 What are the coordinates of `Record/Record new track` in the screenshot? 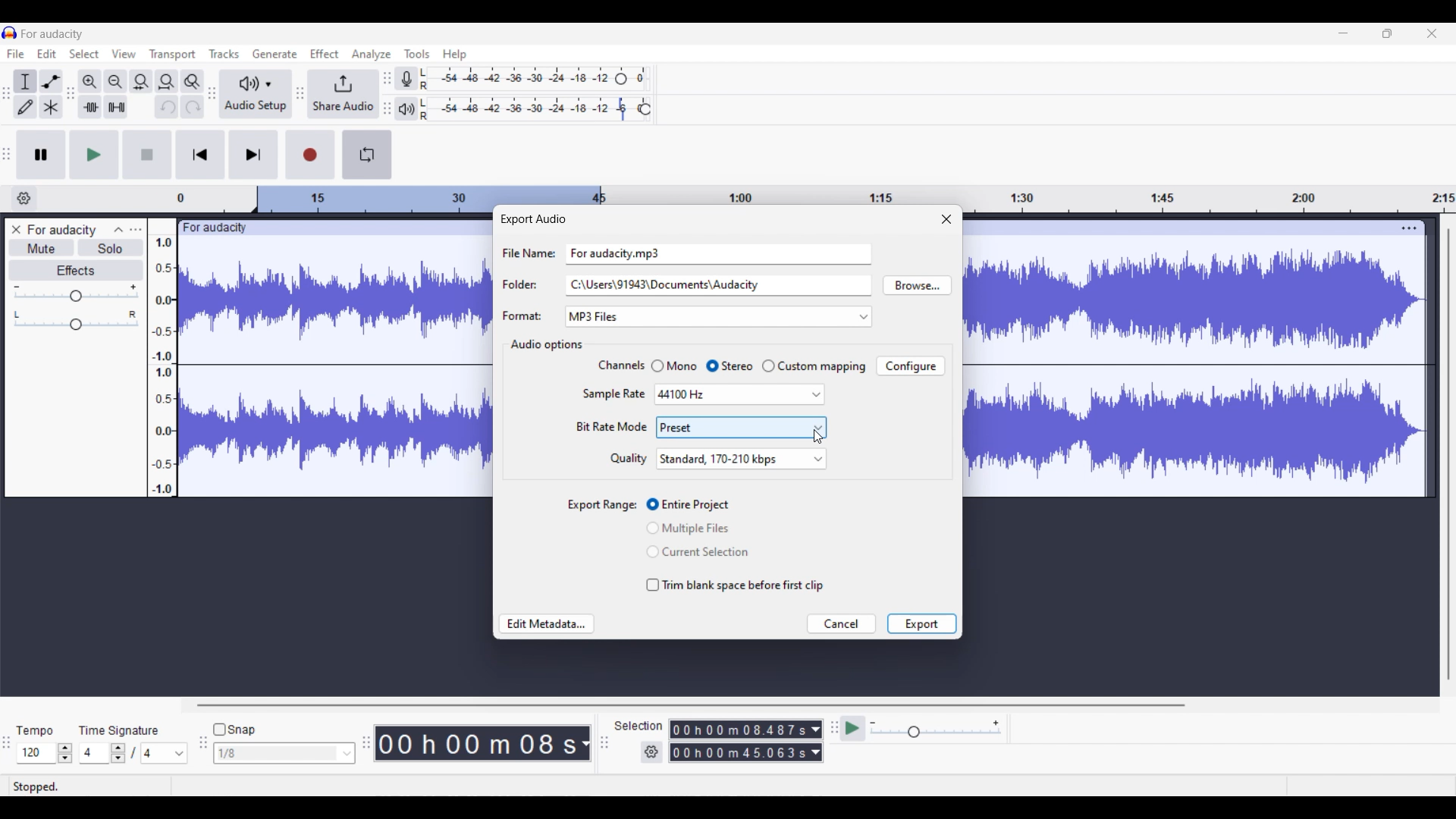 It's located at (311, 155).